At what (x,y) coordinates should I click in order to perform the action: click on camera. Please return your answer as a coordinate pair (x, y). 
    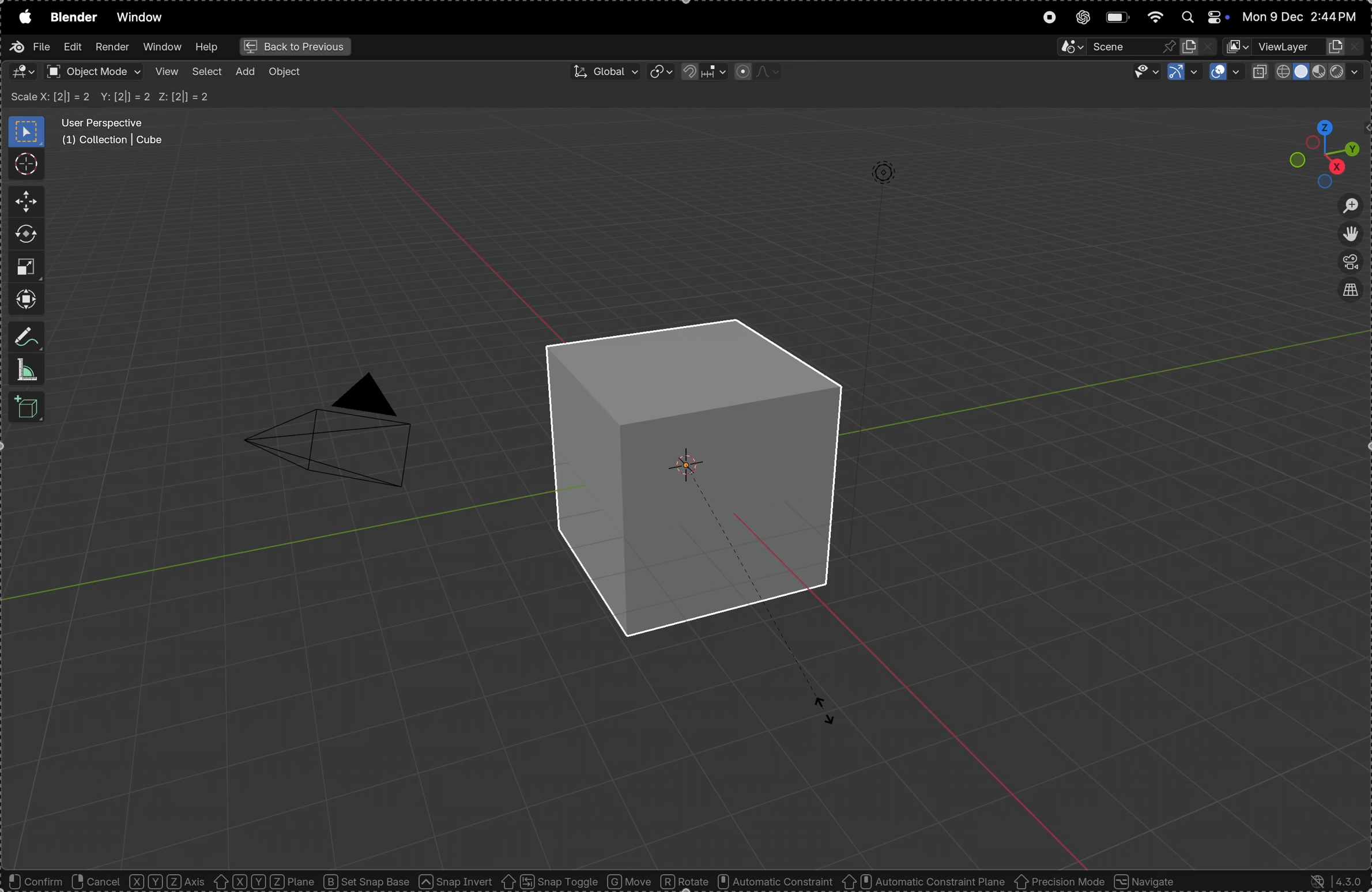
    Looking at the image, I should click on (345, 437).